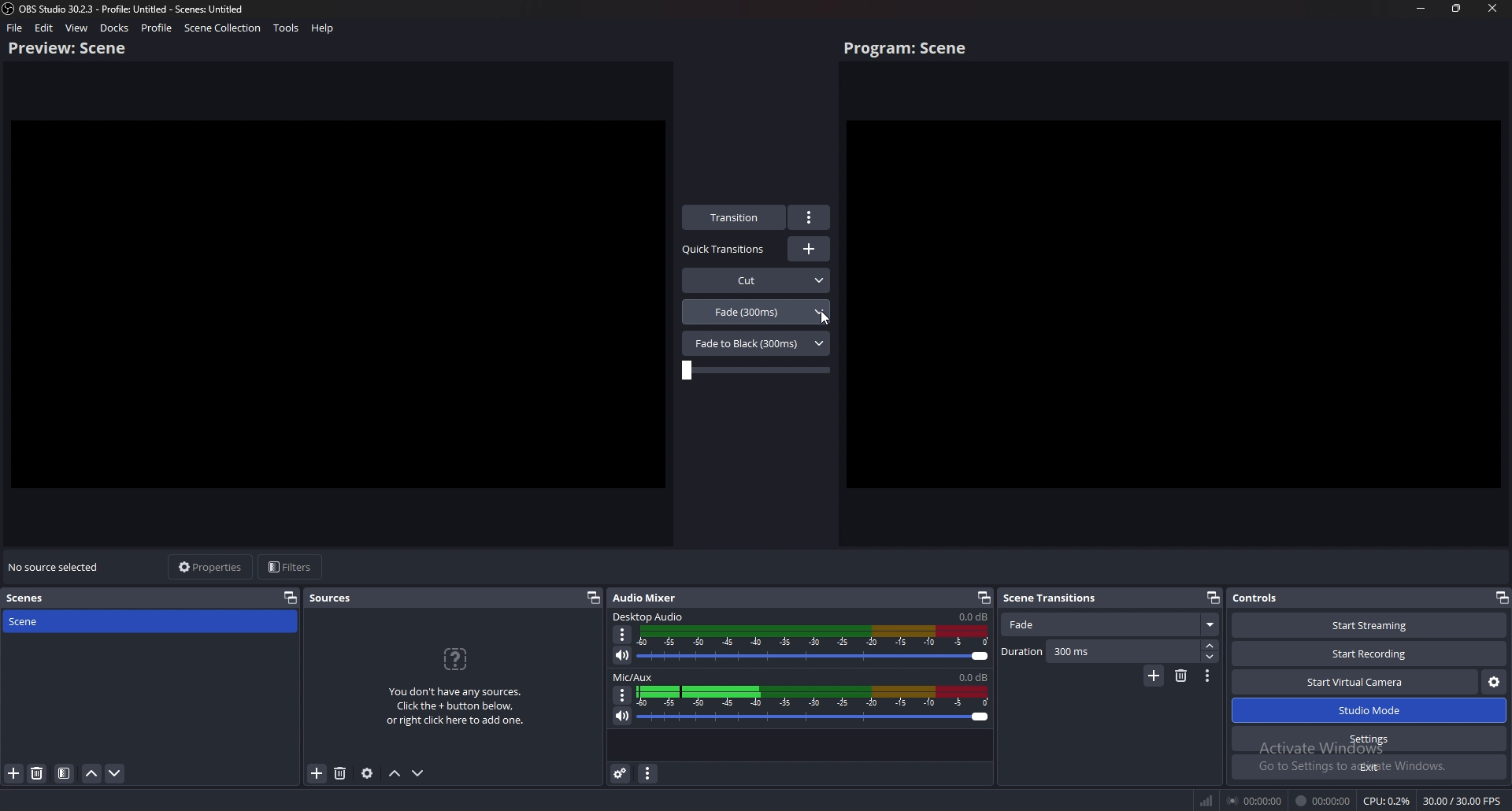  What do you see at coordinates (757, 311) in the screenshot?
I see `fade(300ms)` at bounding box center [757, 311].